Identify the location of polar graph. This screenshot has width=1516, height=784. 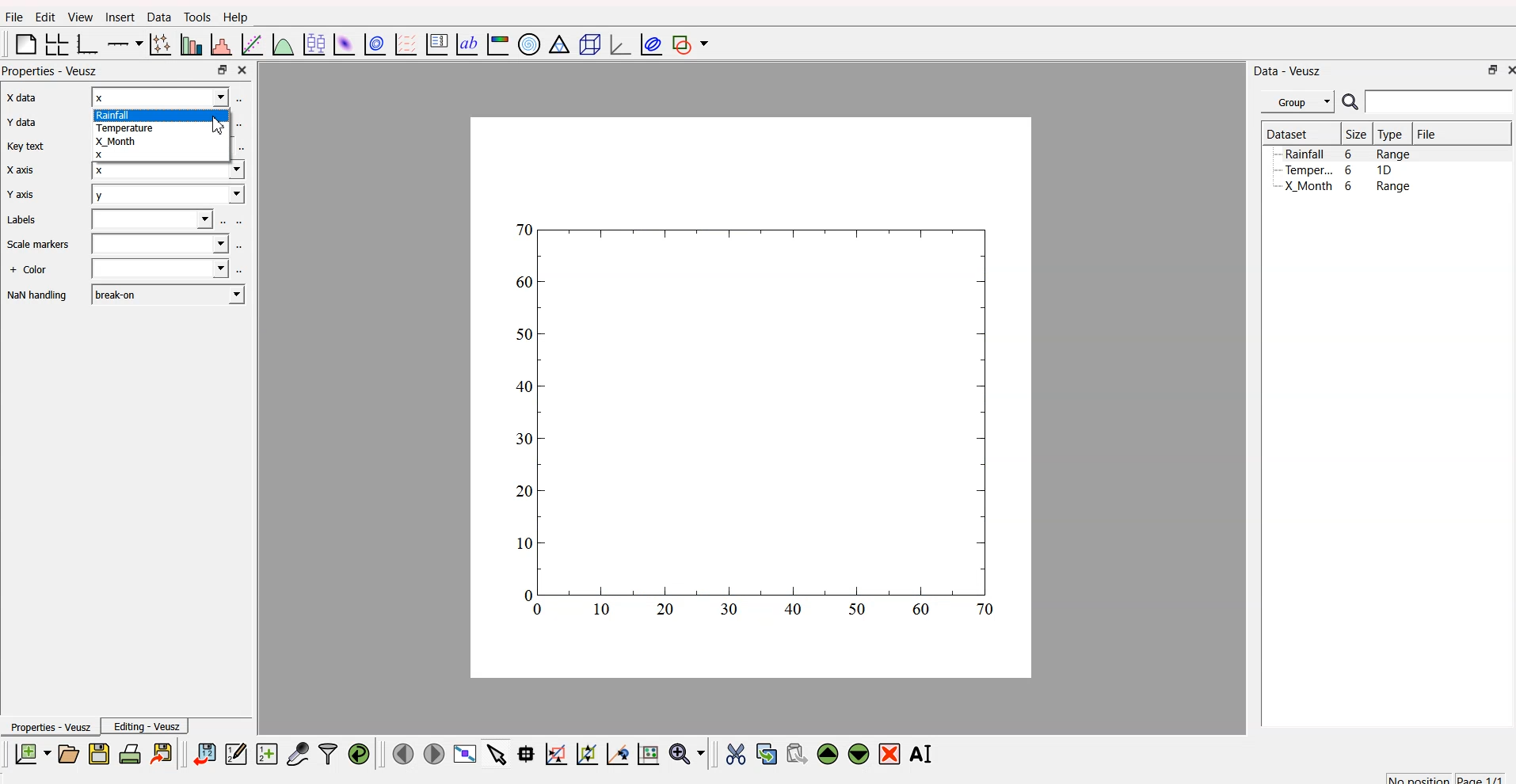
(531, 42).